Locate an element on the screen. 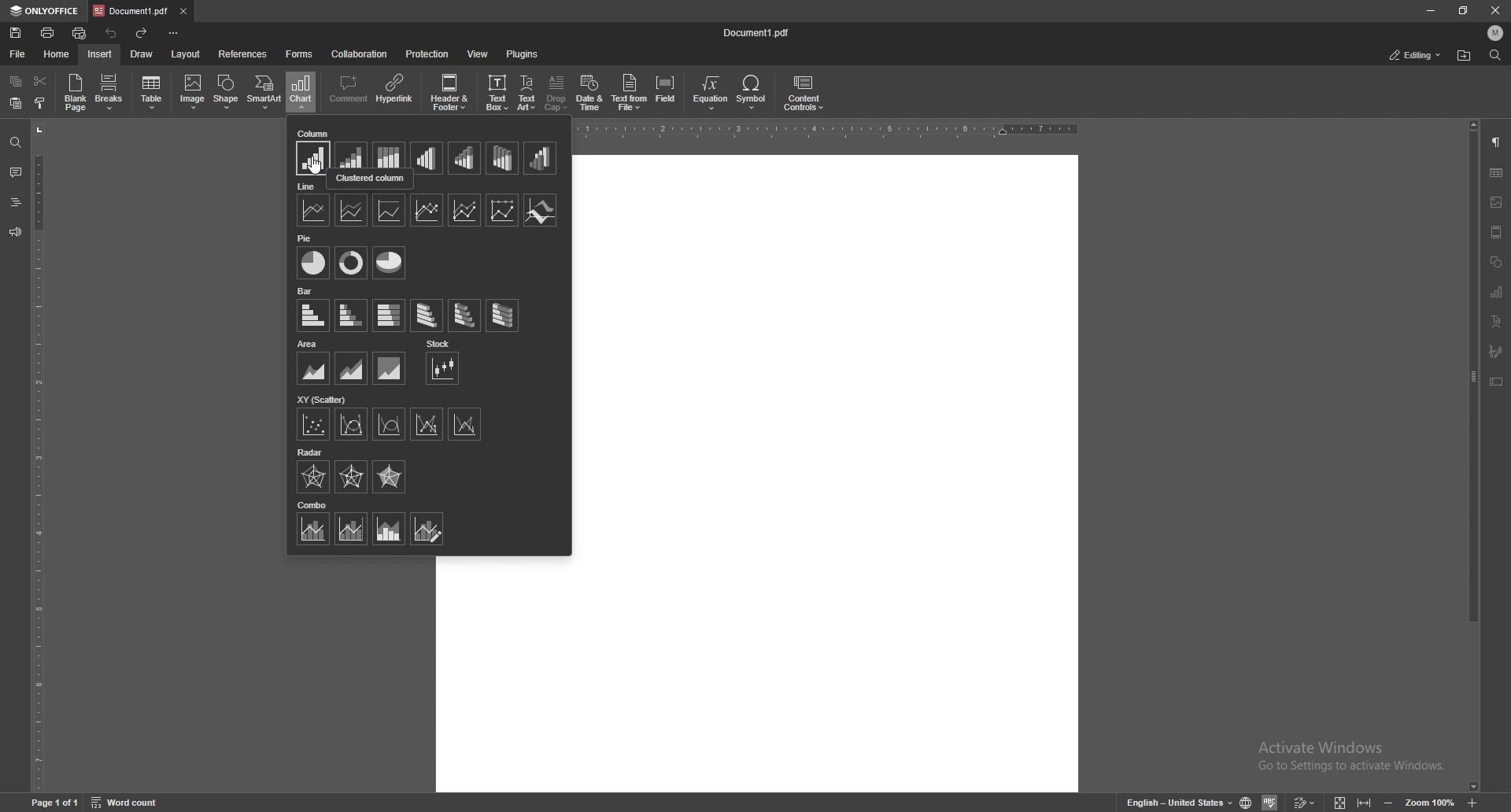 This screenshot has width=1511, height=812. minimize is located at coordinates (1386, 803).